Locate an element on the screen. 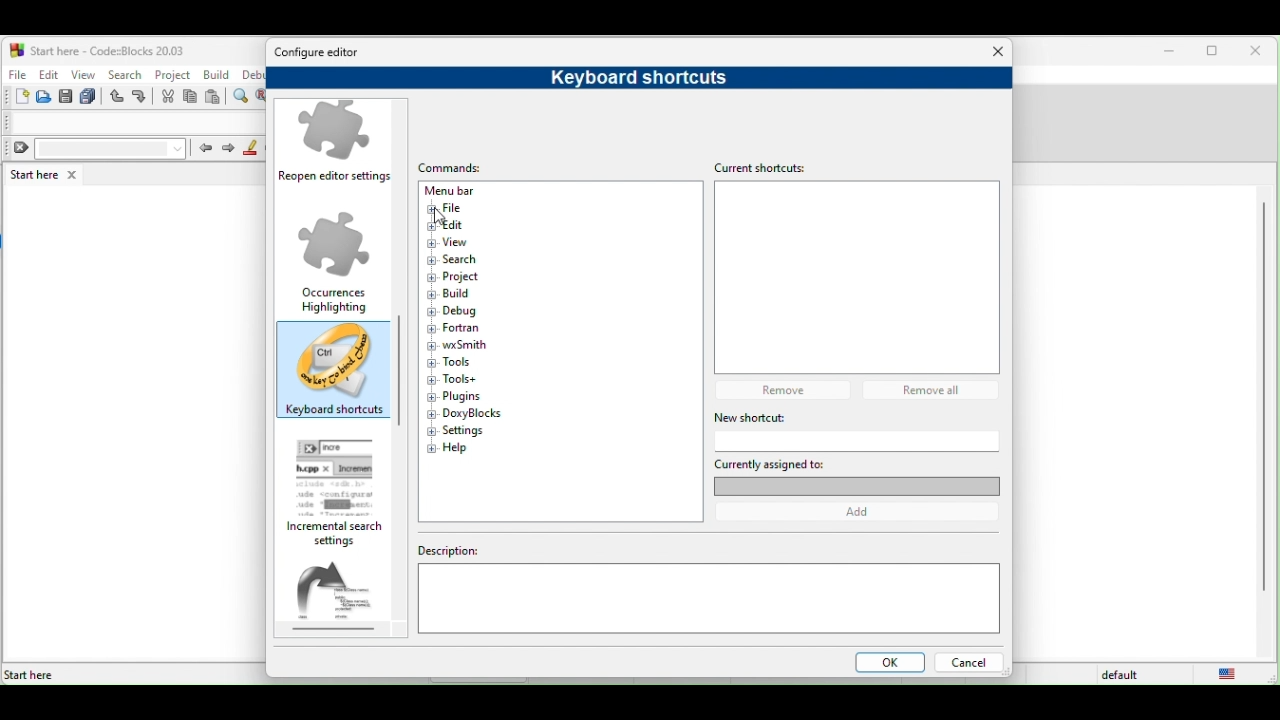  save everything is located at coordinates (90, 97).